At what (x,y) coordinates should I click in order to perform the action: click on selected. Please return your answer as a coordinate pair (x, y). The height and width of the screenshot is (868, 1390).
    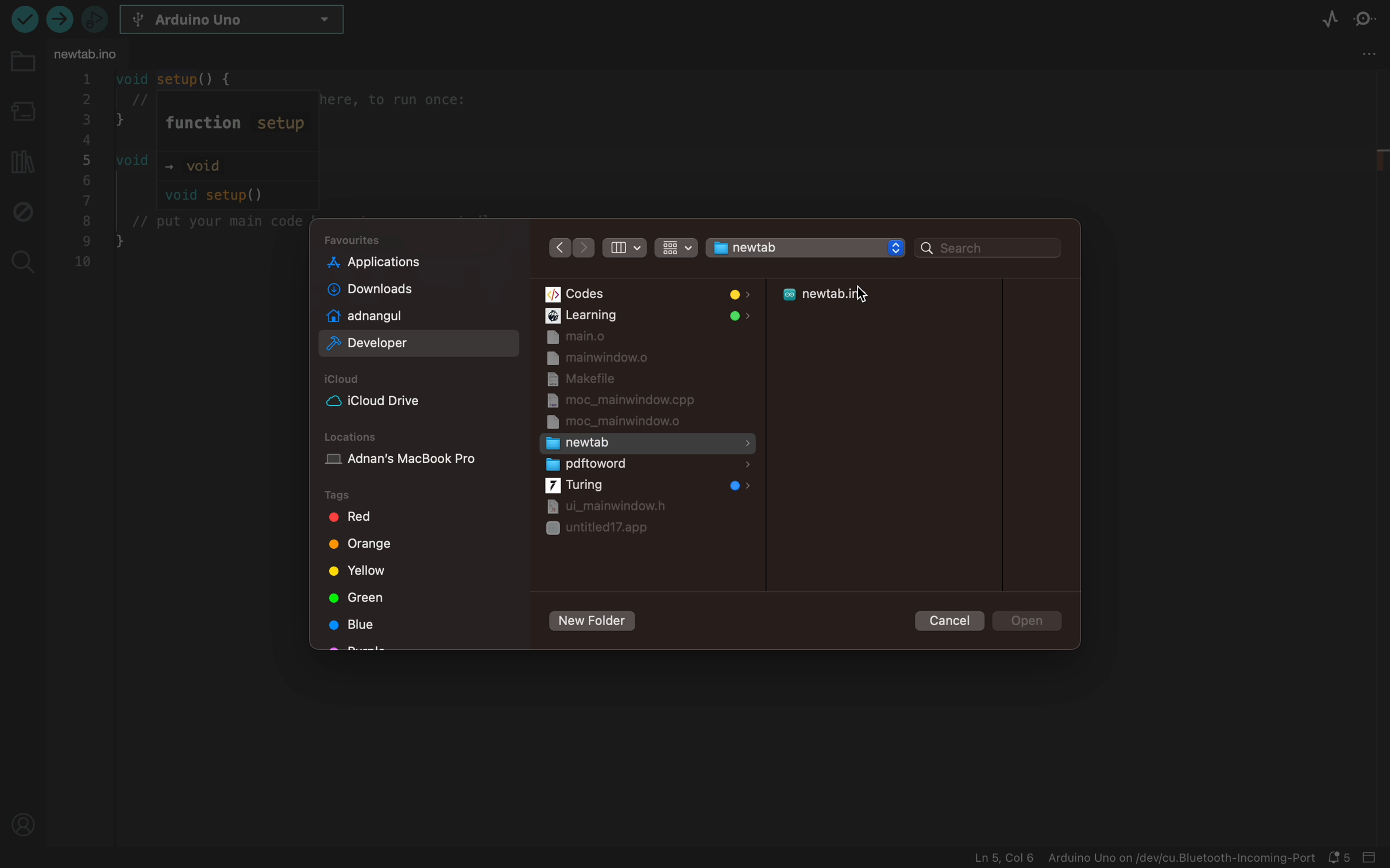
    Looking at the image, I should click on (422, 343).